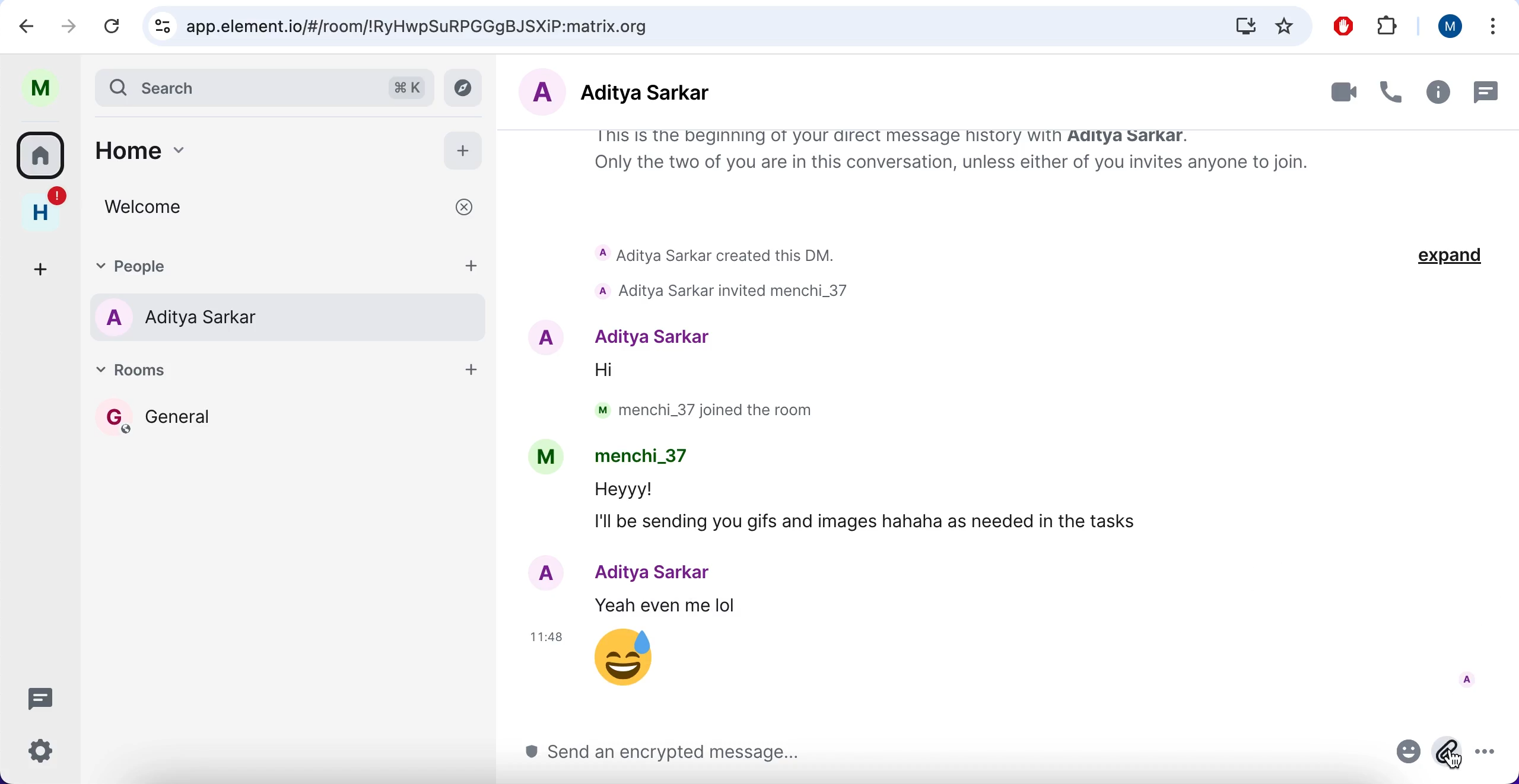 This screenshot has height=784, width=1519. What do you see at coordinates (45, 700) in the screenshot?
I see `chat` at bounding box center [45, 700].